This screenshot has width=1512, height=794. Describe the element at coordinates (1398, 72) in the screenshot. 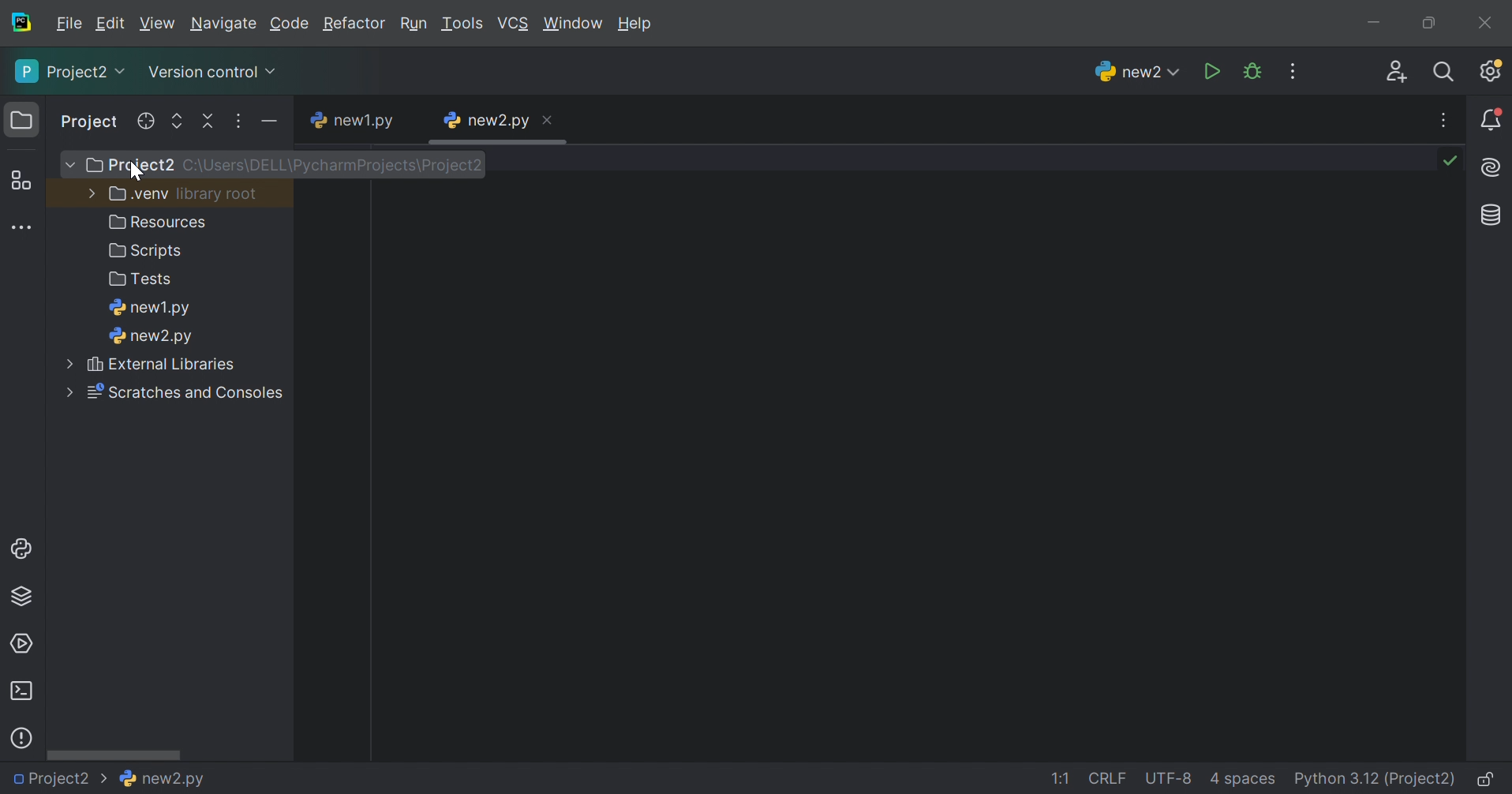

I see `Code with me` at that location.